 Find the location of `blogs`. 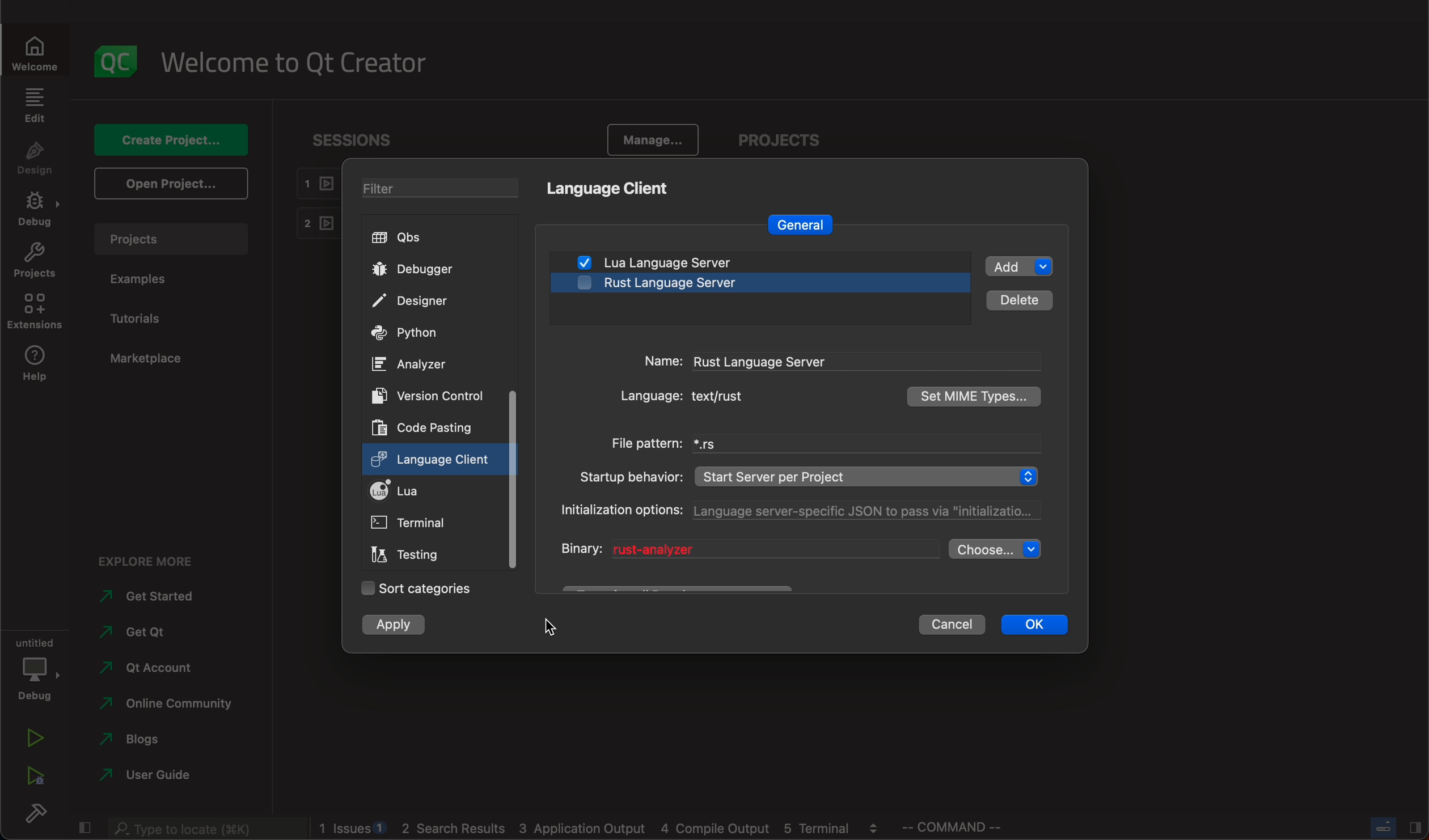

blogs is located at coordinates (164, 740).